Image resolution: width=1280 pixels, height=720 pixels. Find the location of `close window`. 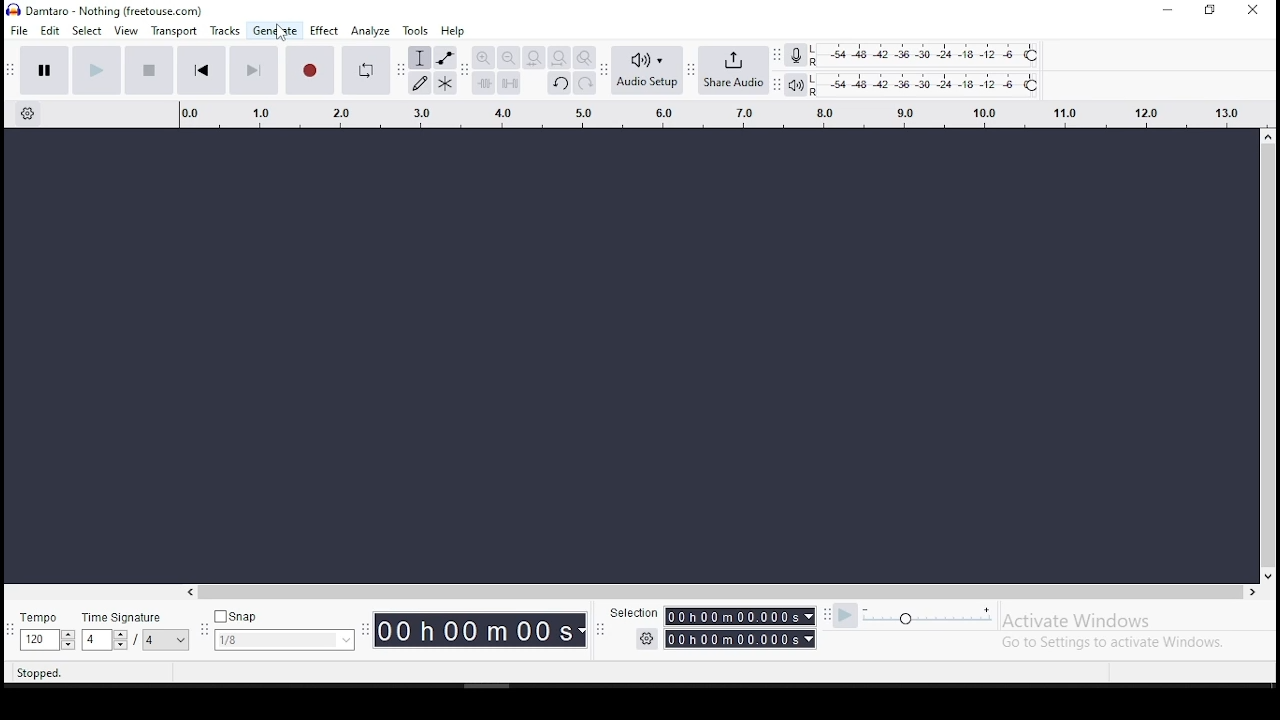

close window is located at coordinates (1255, 10).